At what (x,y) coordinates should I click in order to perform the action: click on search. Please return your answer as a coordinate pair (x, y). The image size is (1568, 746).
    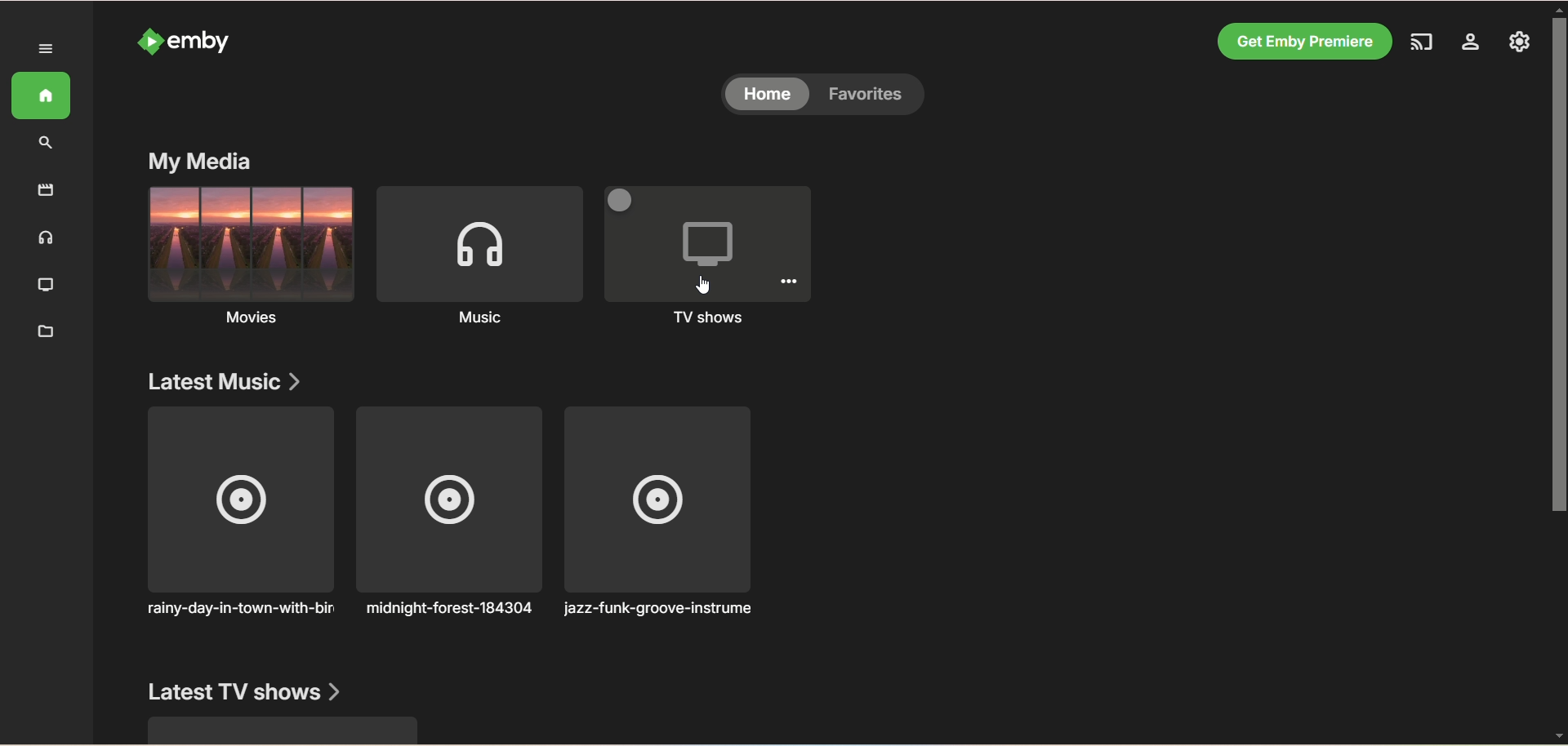
    Looking at the image, I should click on (41, 144).